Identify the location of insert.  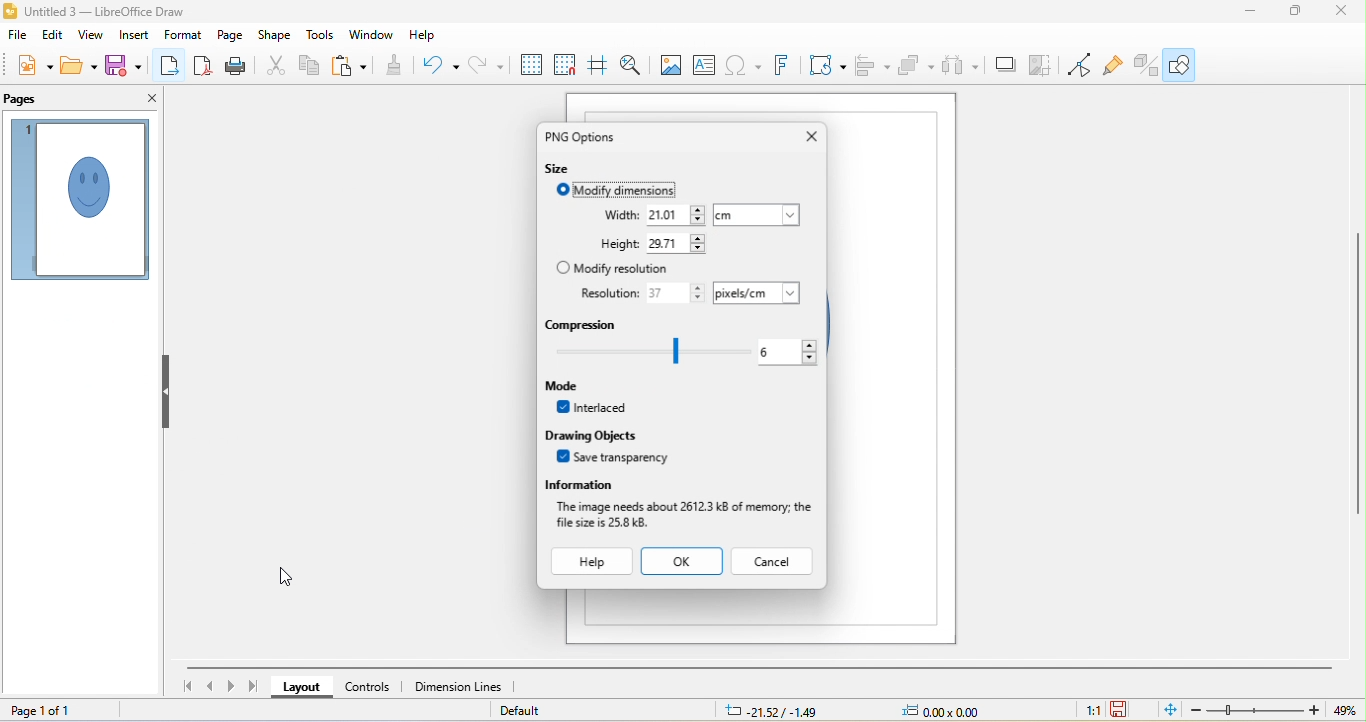
(130, 36).